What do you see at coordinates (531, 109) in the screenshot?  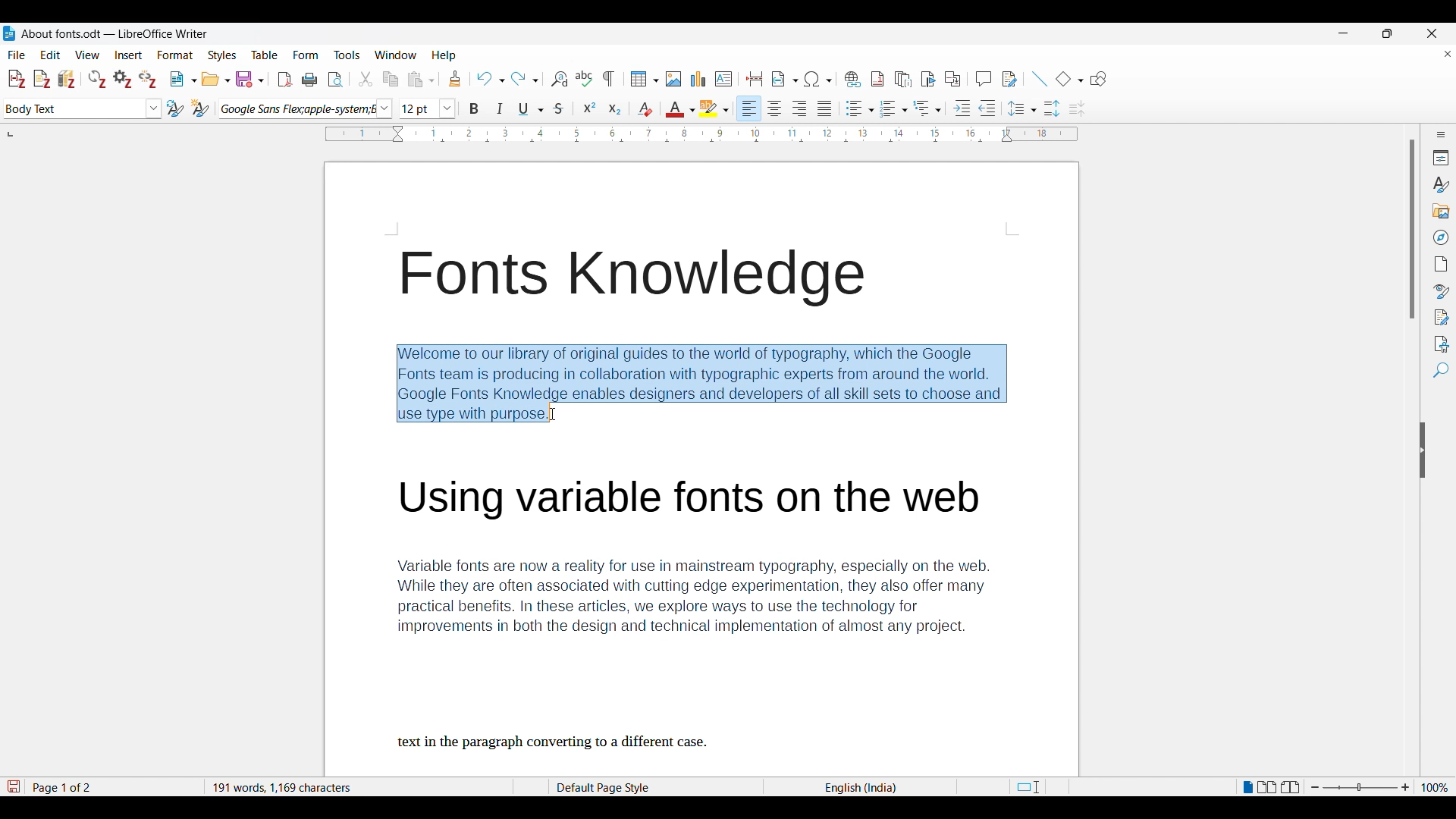 I see `Underline options` at bounding box center [531, 109].